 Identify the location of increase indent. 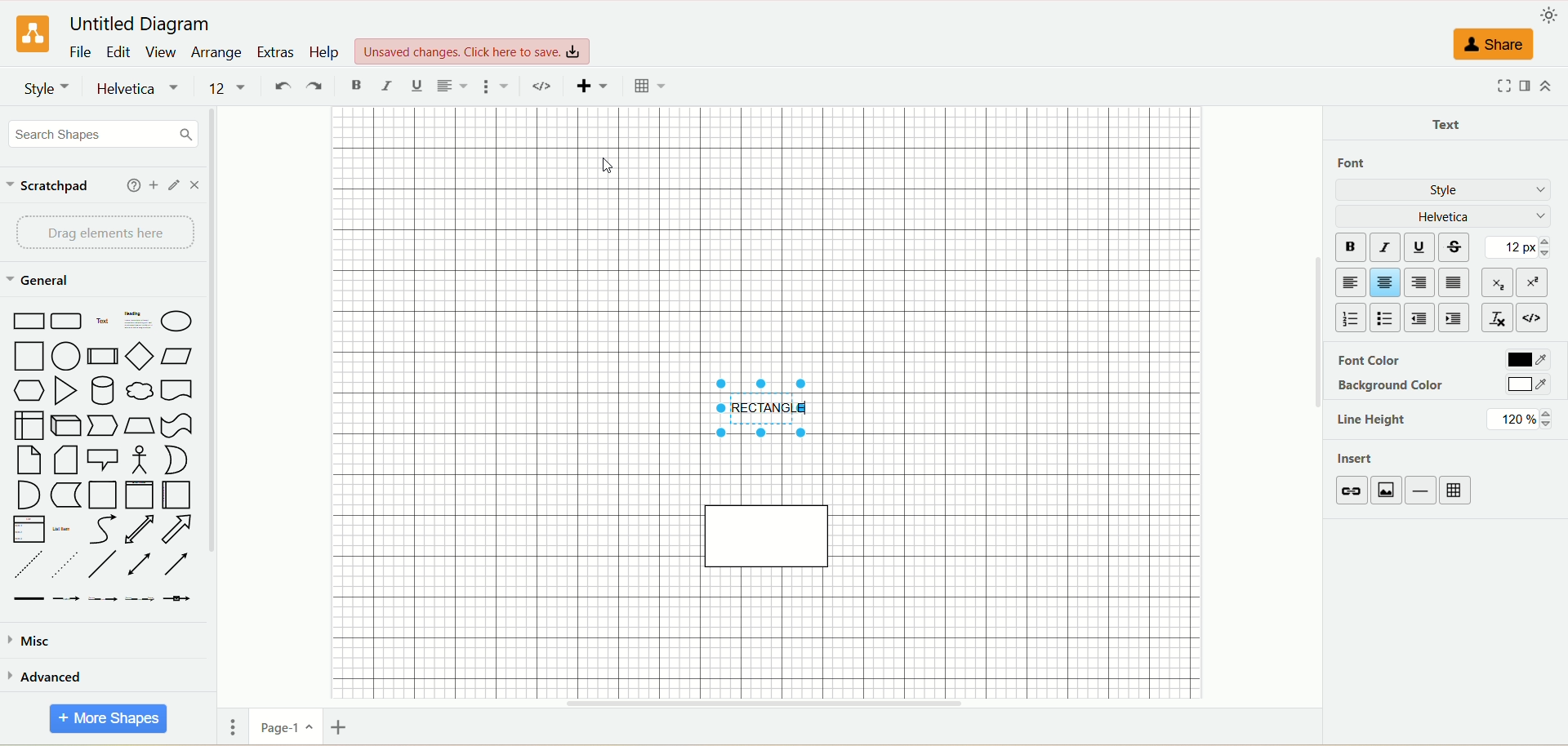
(1454, 318).